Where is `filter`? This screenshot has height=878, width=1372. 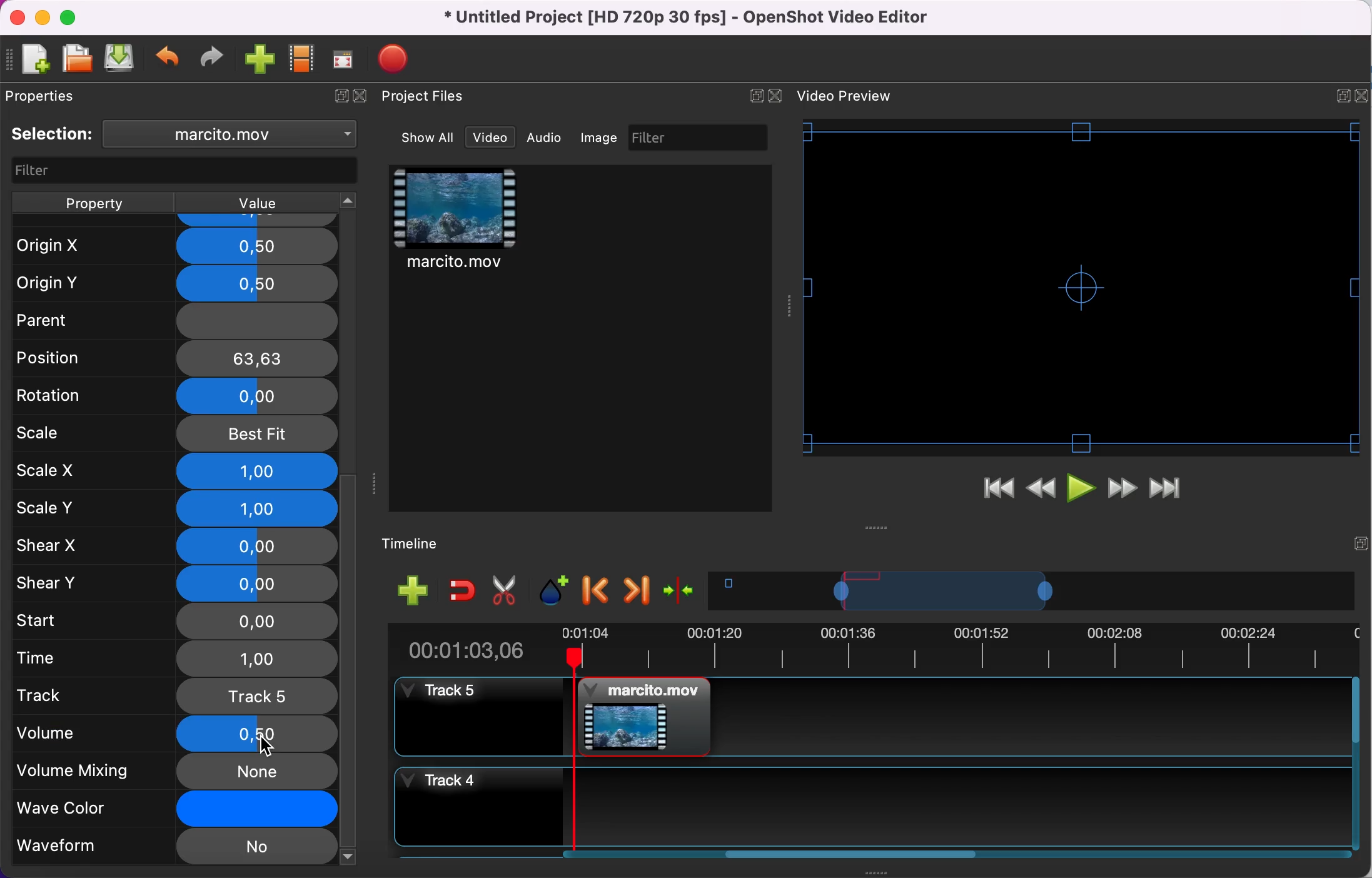
filter is located at coordinates (700, 137).